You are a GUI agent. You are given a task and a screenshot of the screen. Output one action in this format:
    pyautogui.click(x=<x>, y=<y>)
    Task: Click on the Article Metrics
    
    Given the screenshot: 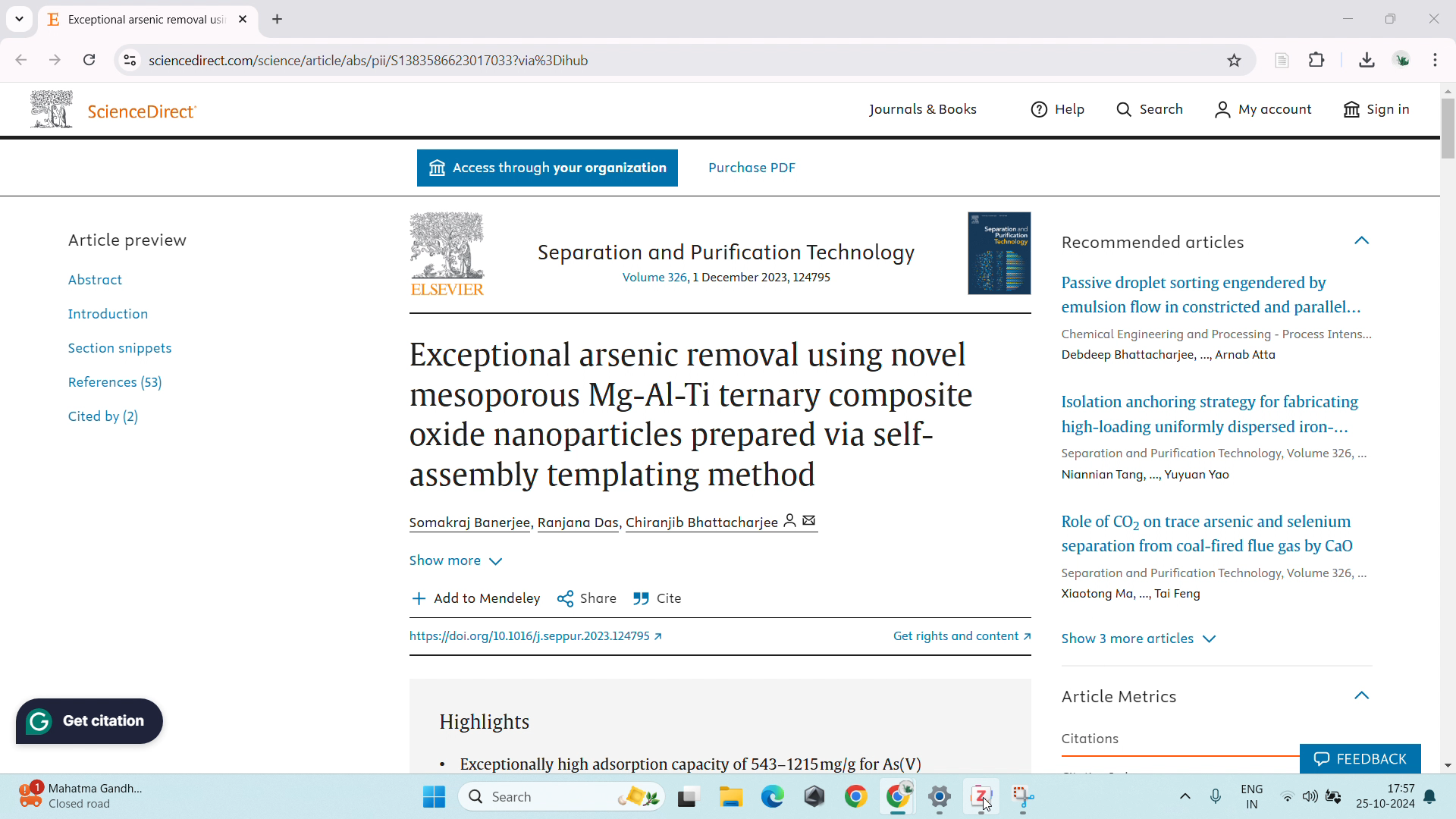 What is the action you would take?
    pyautogui.click(x=1125, y=695)
    